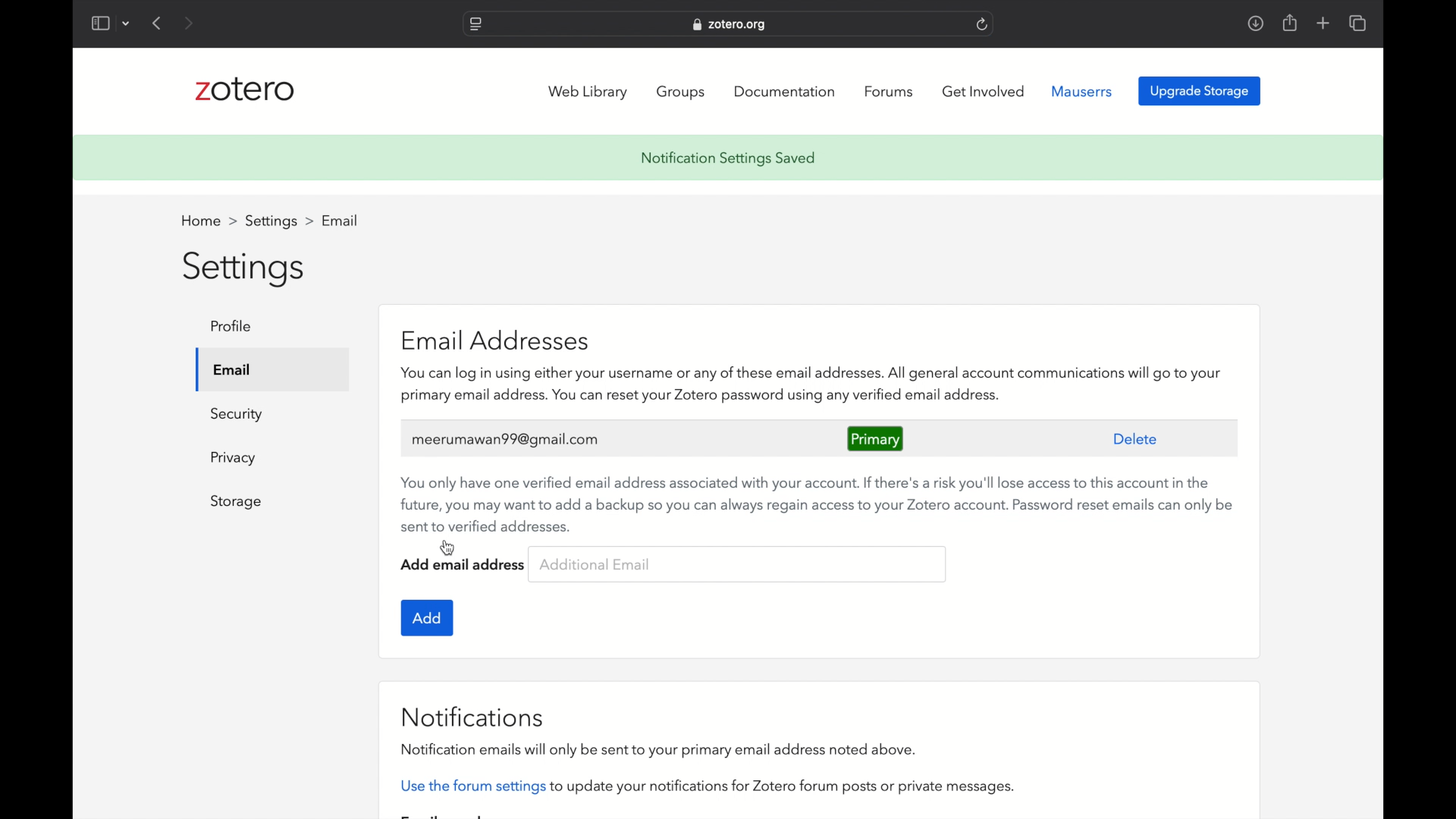  I want to click on primary, so click(875, 438).